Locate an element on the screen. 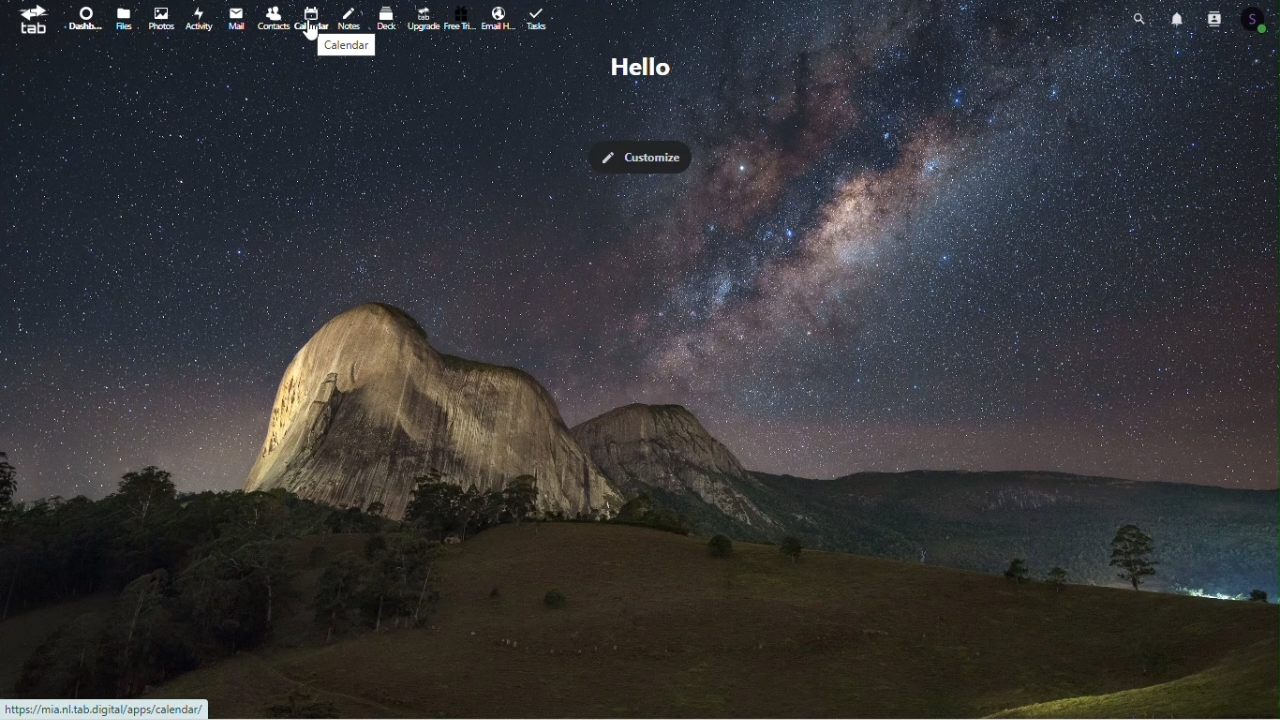 The width and height of the screenshot is (1280, 720). upgrade is located at coordinates (422, 18).